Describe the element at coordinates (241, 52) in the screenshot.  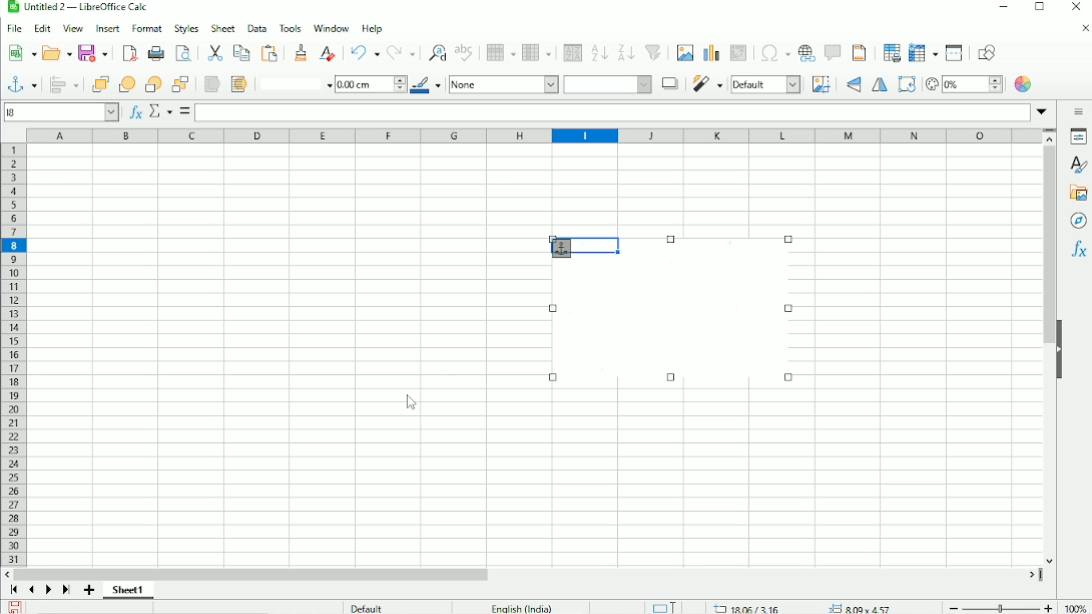
I see `Copy` at that location.